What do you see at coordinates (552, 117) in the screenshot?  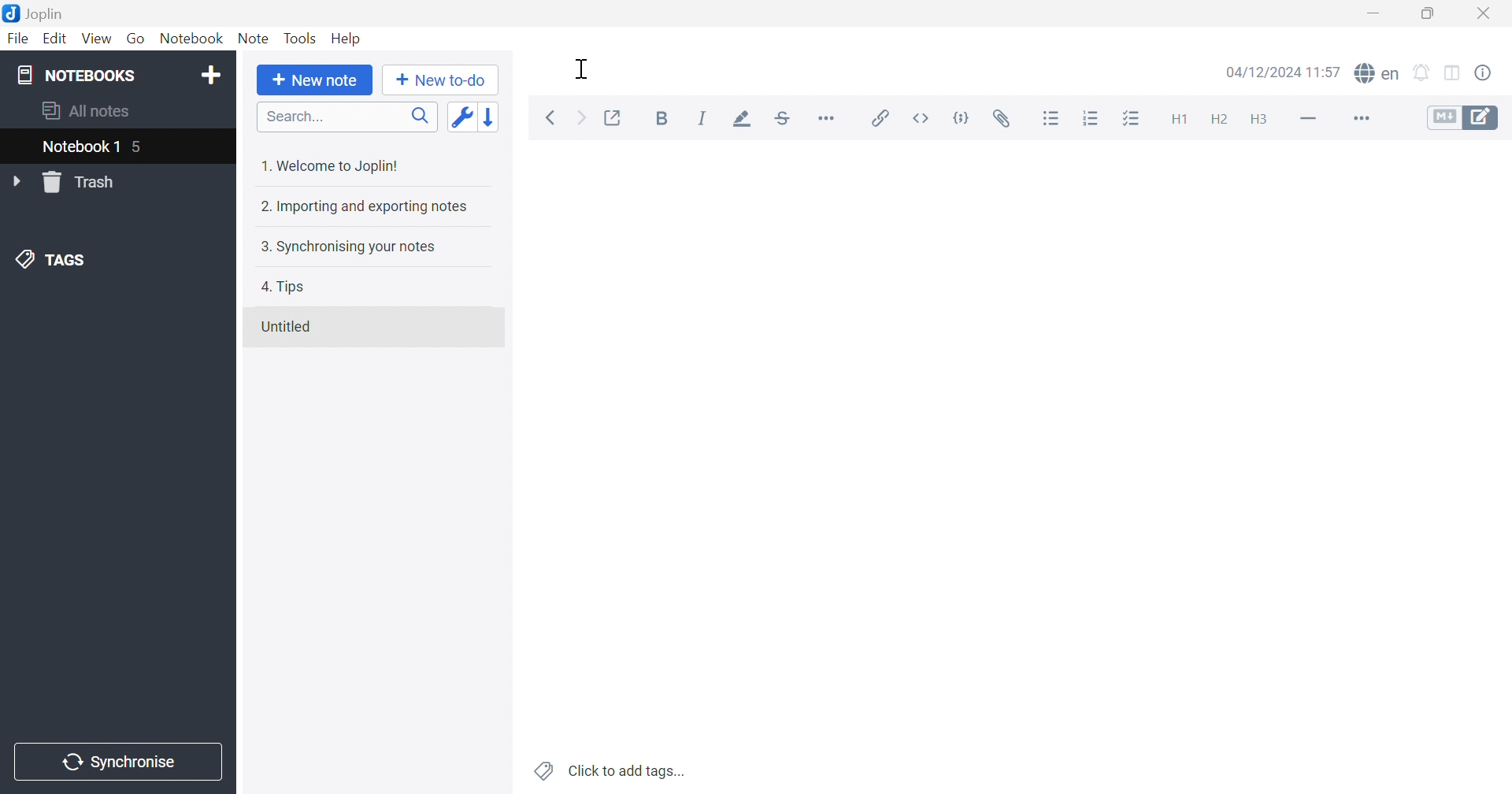 I see `Back` at bounding box center [552, 117].